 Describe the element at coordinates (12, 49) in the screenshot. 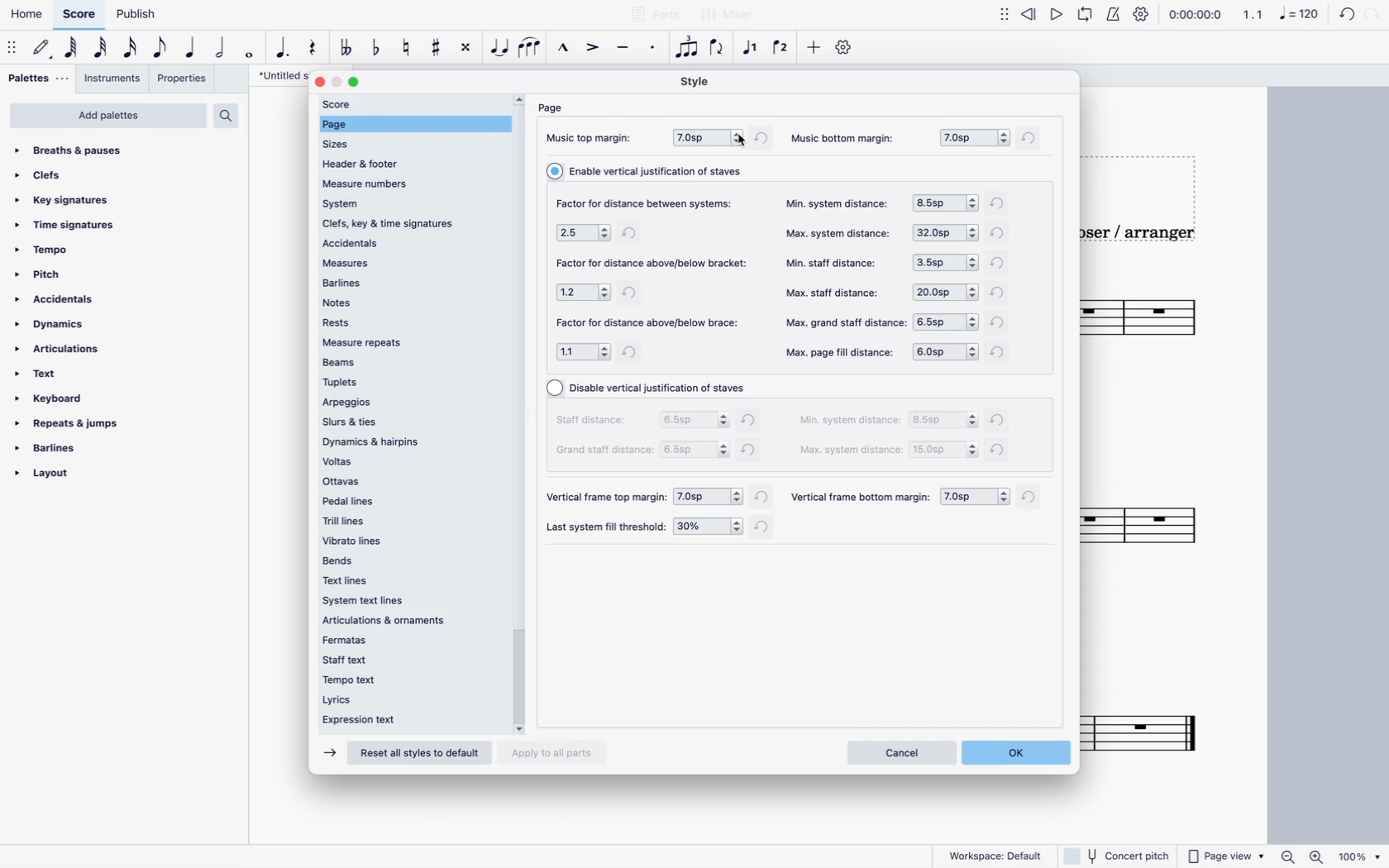

I see `move` at that location.